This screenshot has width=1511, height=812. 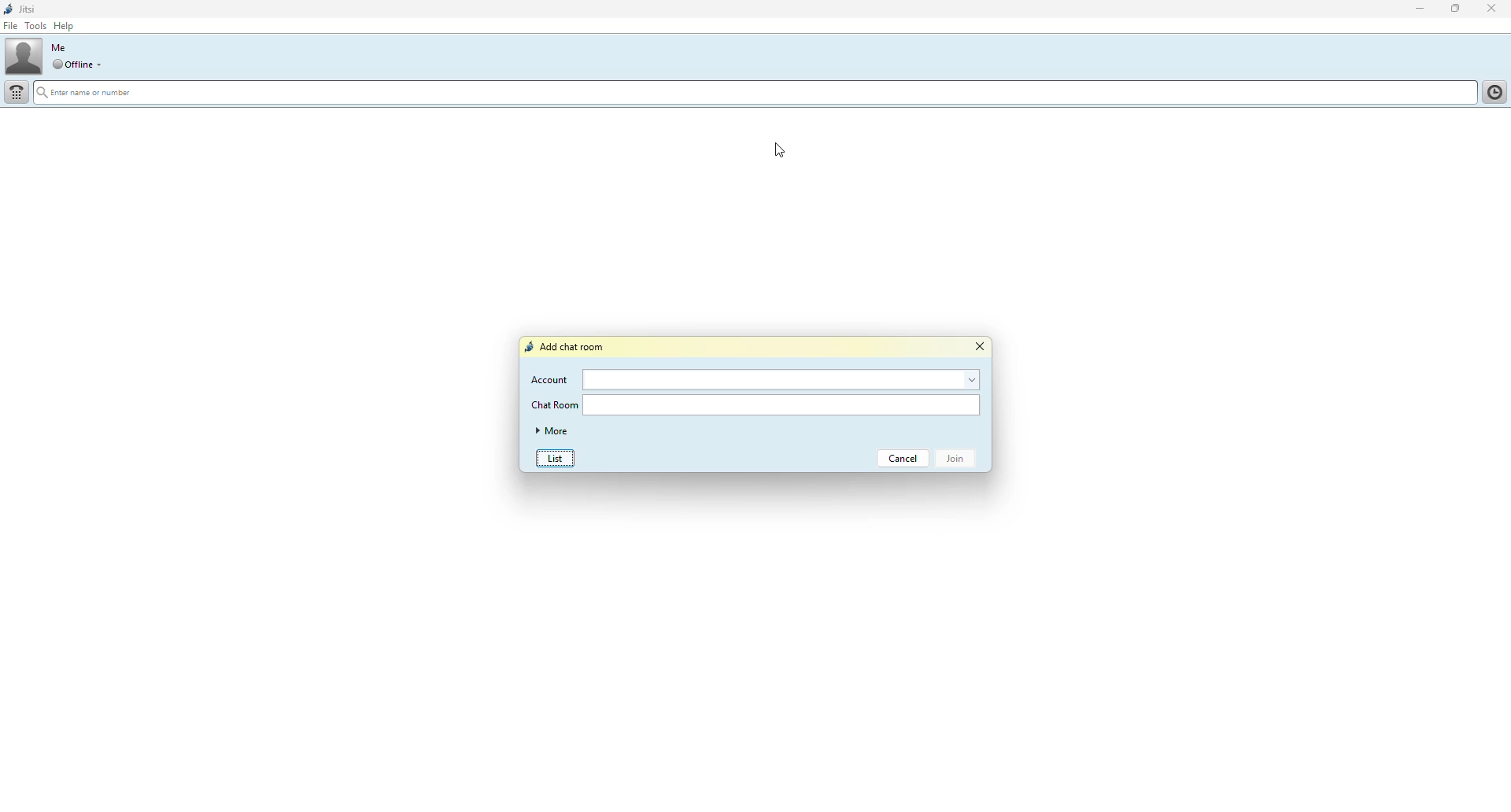 What do you see at coordinates (551, 431) in the screenshot?
I see `more` at bounding box center [551, 431].